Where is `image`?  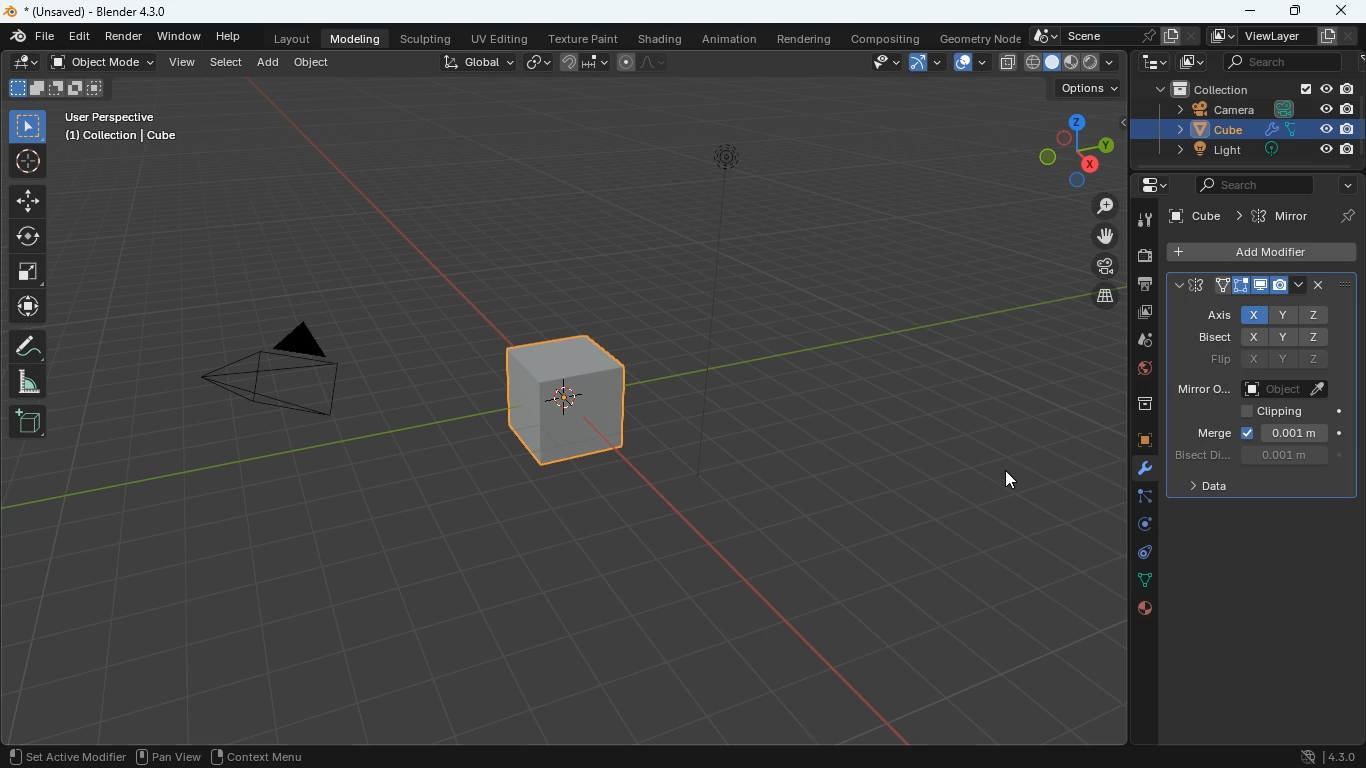 image is located at coordinates (1192, 61).